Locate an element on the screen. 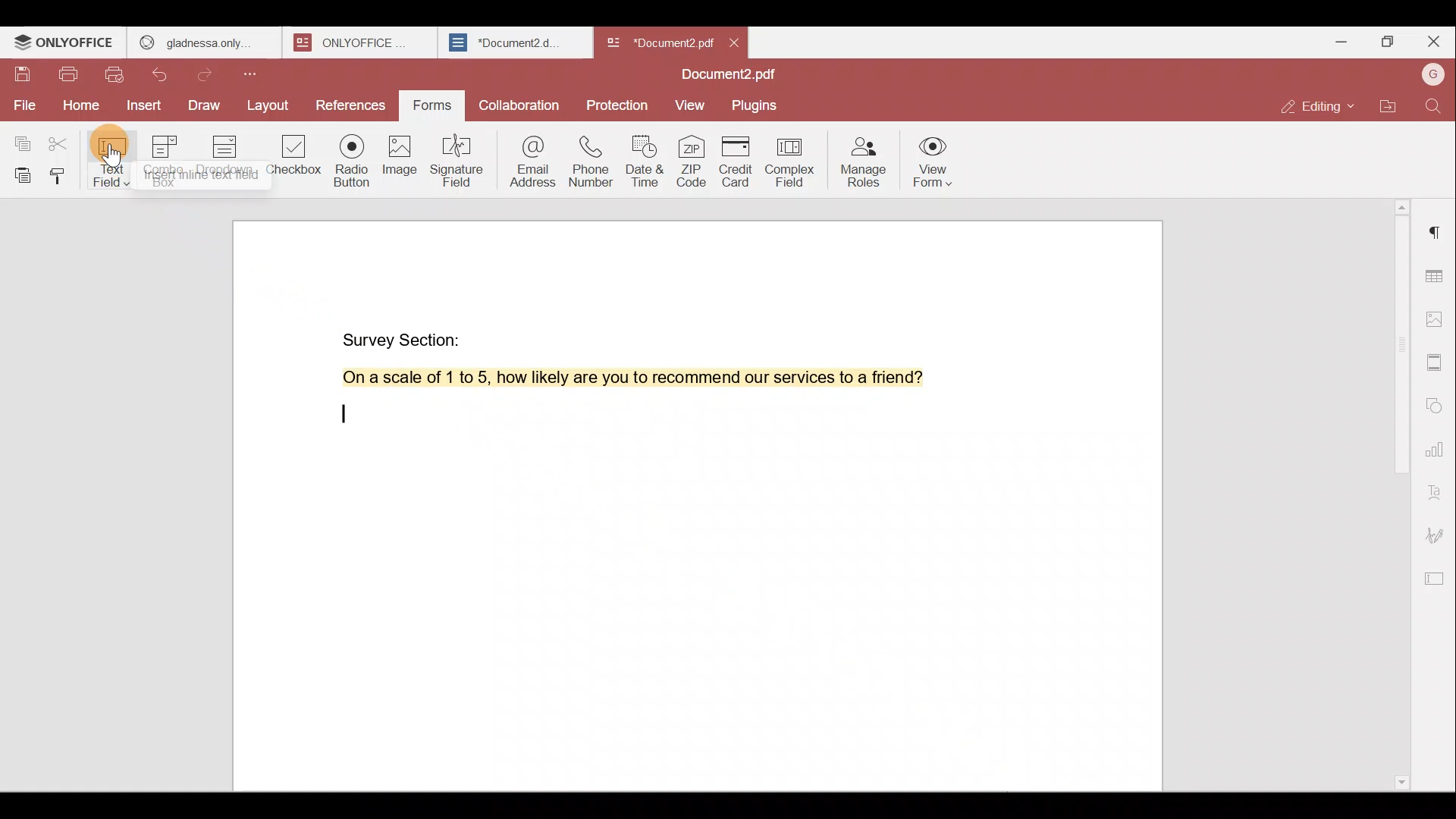 This screenshot has width=1456, height=819. ONLYOFFICE is located at coordinates (362, 42).